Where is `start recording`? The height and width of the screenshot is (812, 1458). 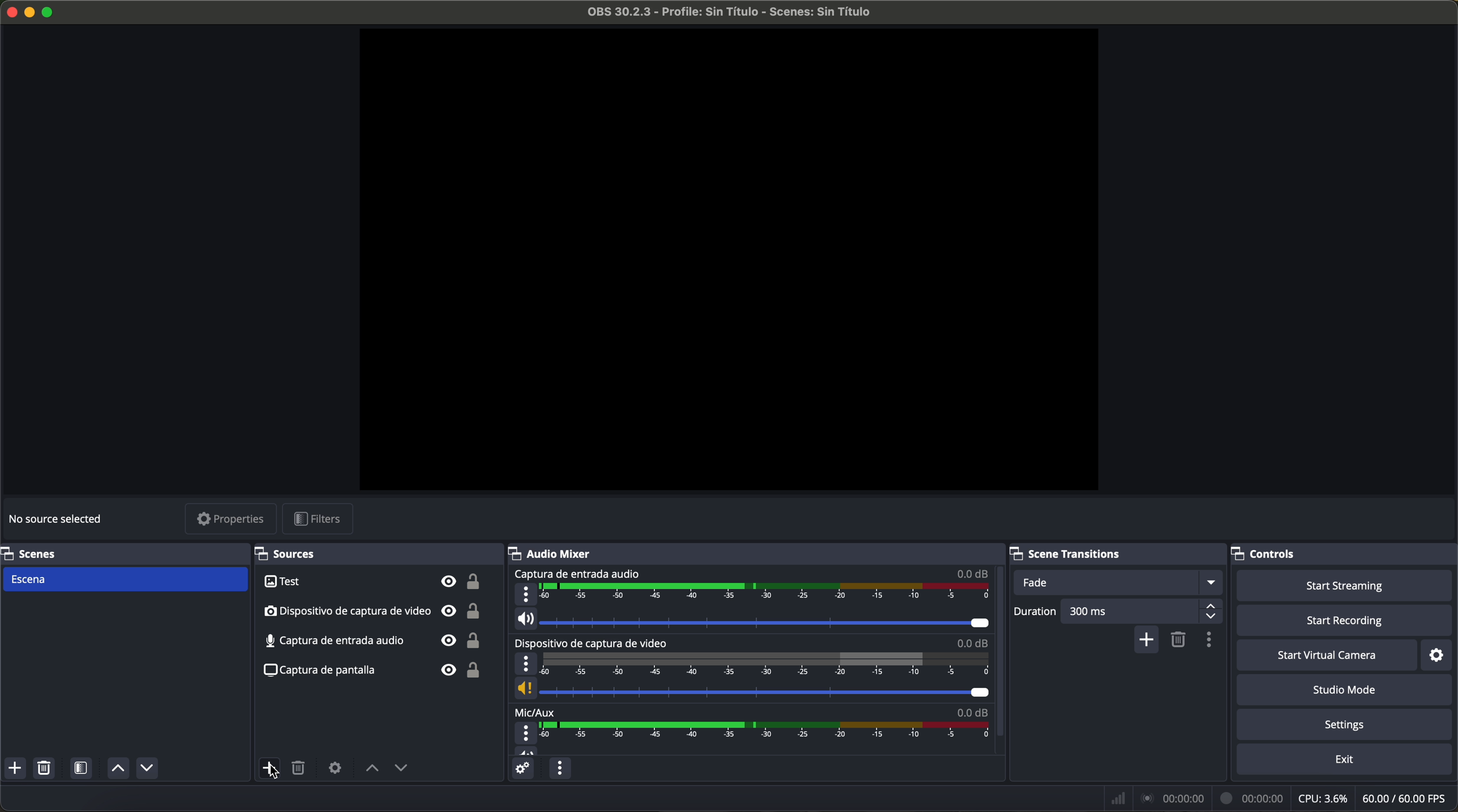
start recording is located at coordinates (1345, 622).